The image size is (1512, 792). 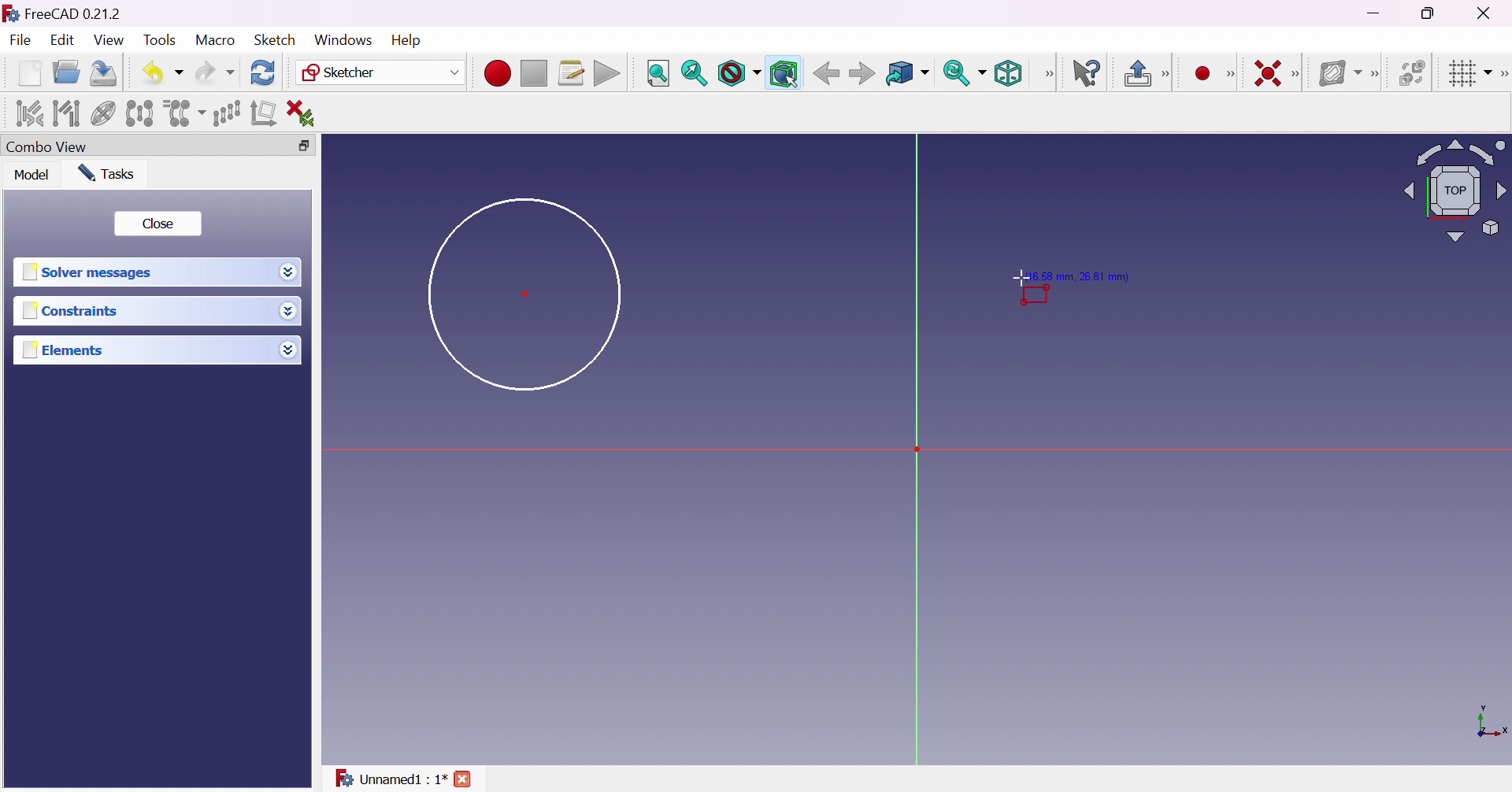 I want to click on Refresh, so click(x=263, y=72).